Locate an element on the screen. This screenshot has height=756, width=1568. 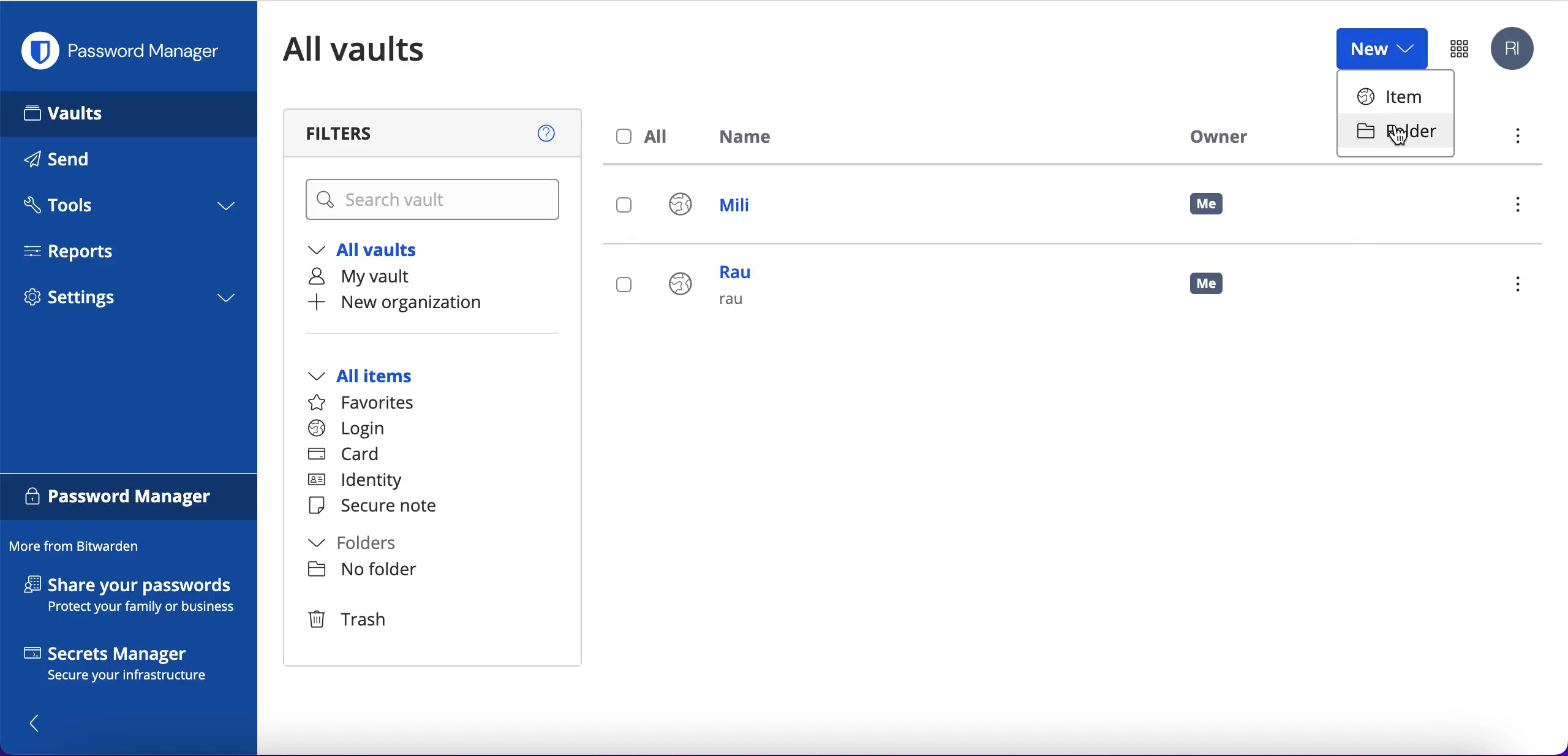
all is located at coordinates (646, 137).